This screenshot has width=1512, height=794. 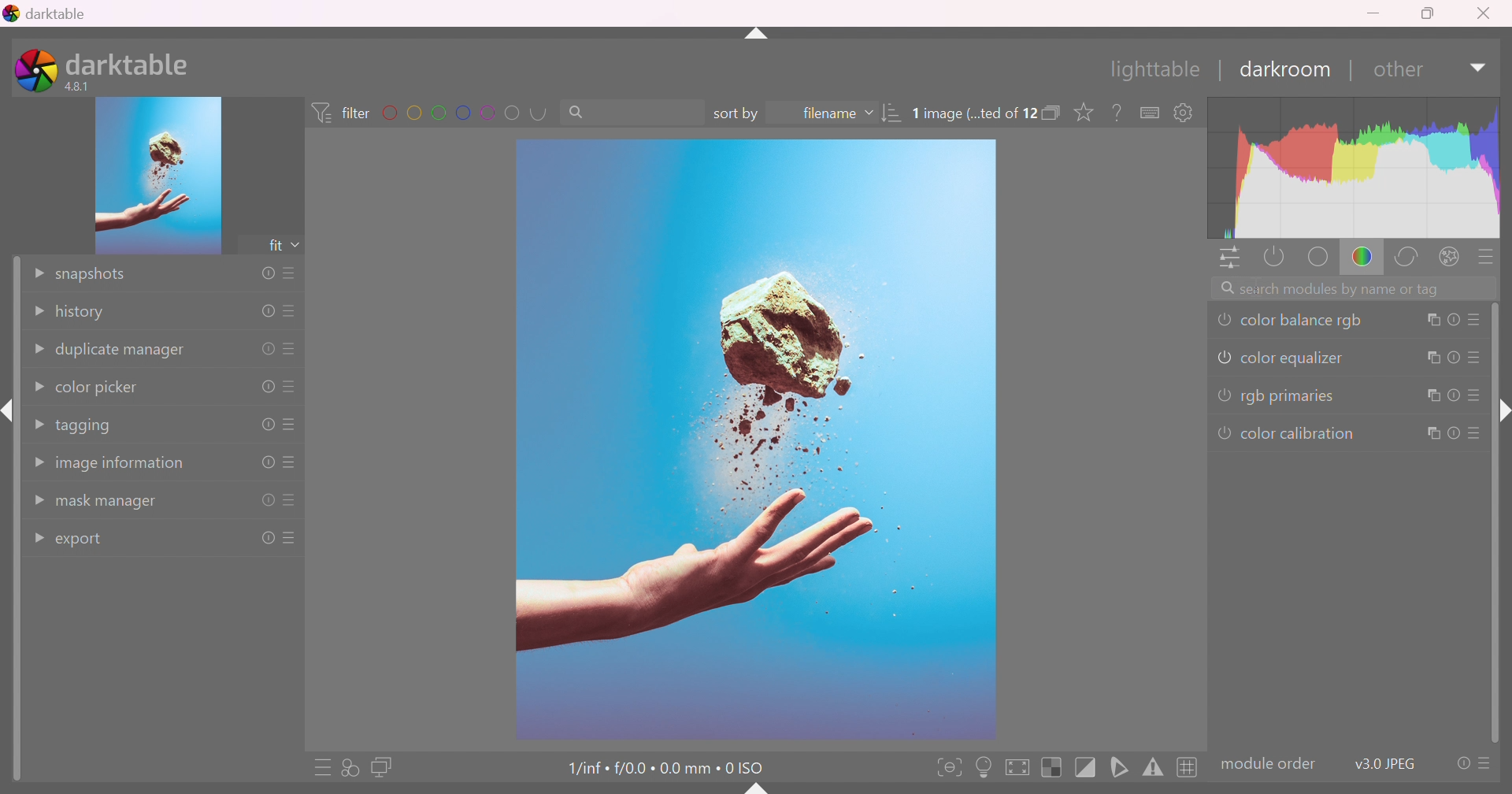 What do you see at coordinates (1218, 72) in the screenshot?
I see `|` at bounding box center [1218, 72].